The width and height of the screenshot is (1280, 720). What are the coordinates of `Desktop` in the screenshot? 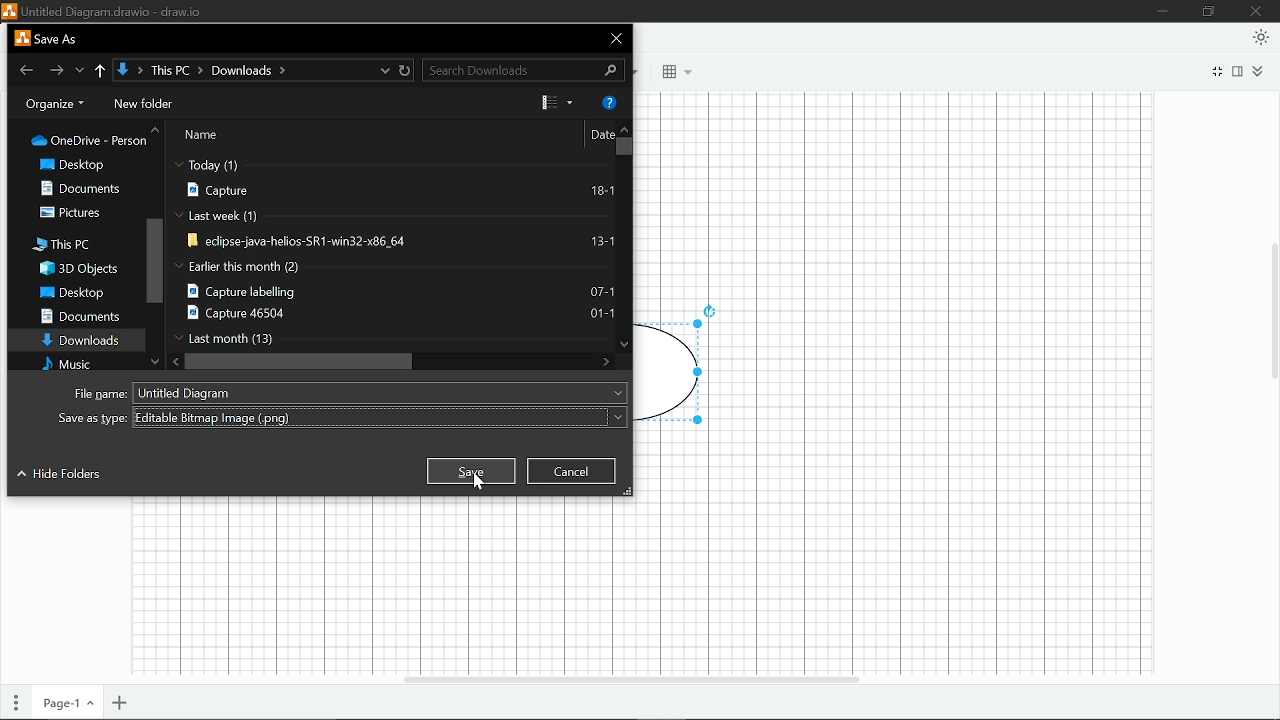 It's located at (73, 293).